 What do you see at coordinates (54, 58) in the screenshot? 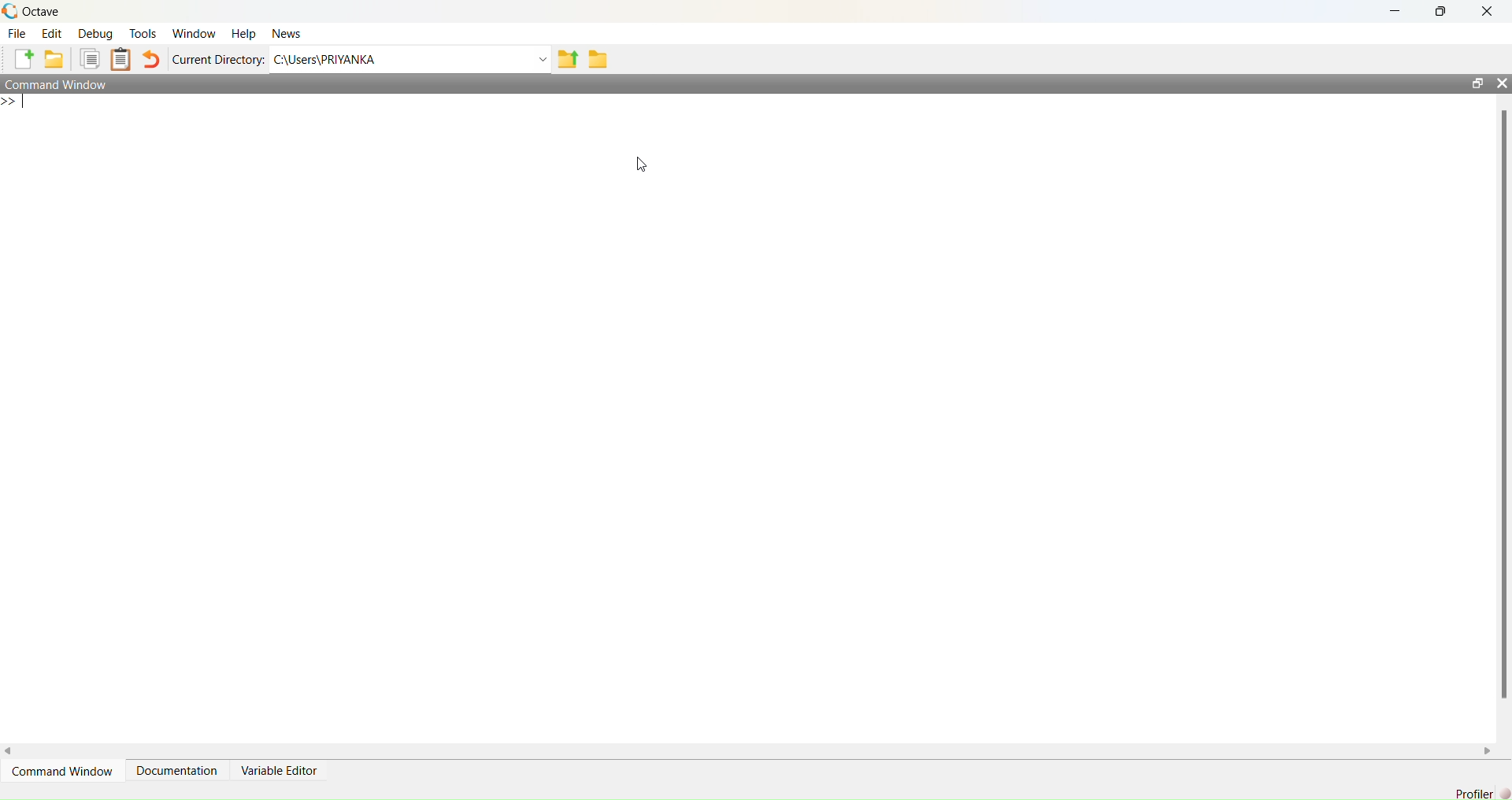
I see `add folder` at bounding box center [54, 58].